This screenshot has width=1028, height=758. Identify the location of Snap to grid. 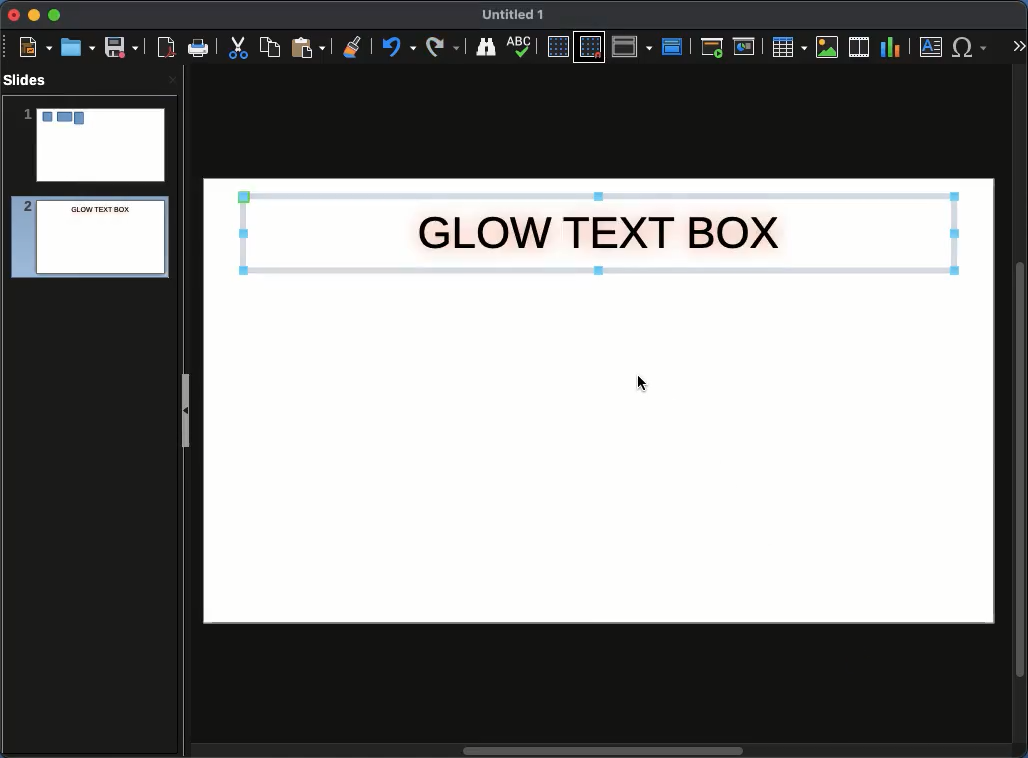
(592, 46).